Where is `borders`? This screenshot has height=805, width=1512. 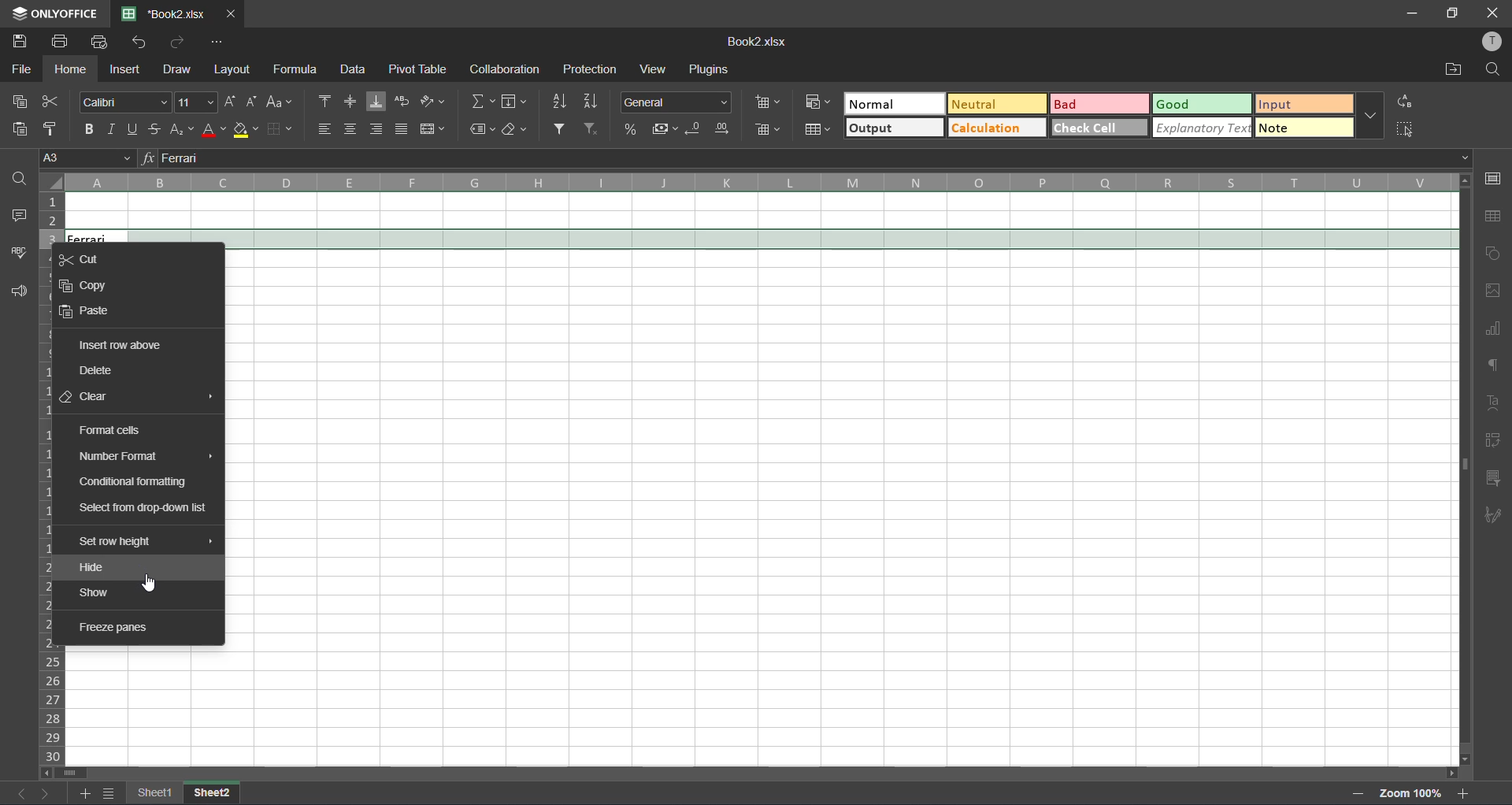
borders is located at coordinates (295, 128).